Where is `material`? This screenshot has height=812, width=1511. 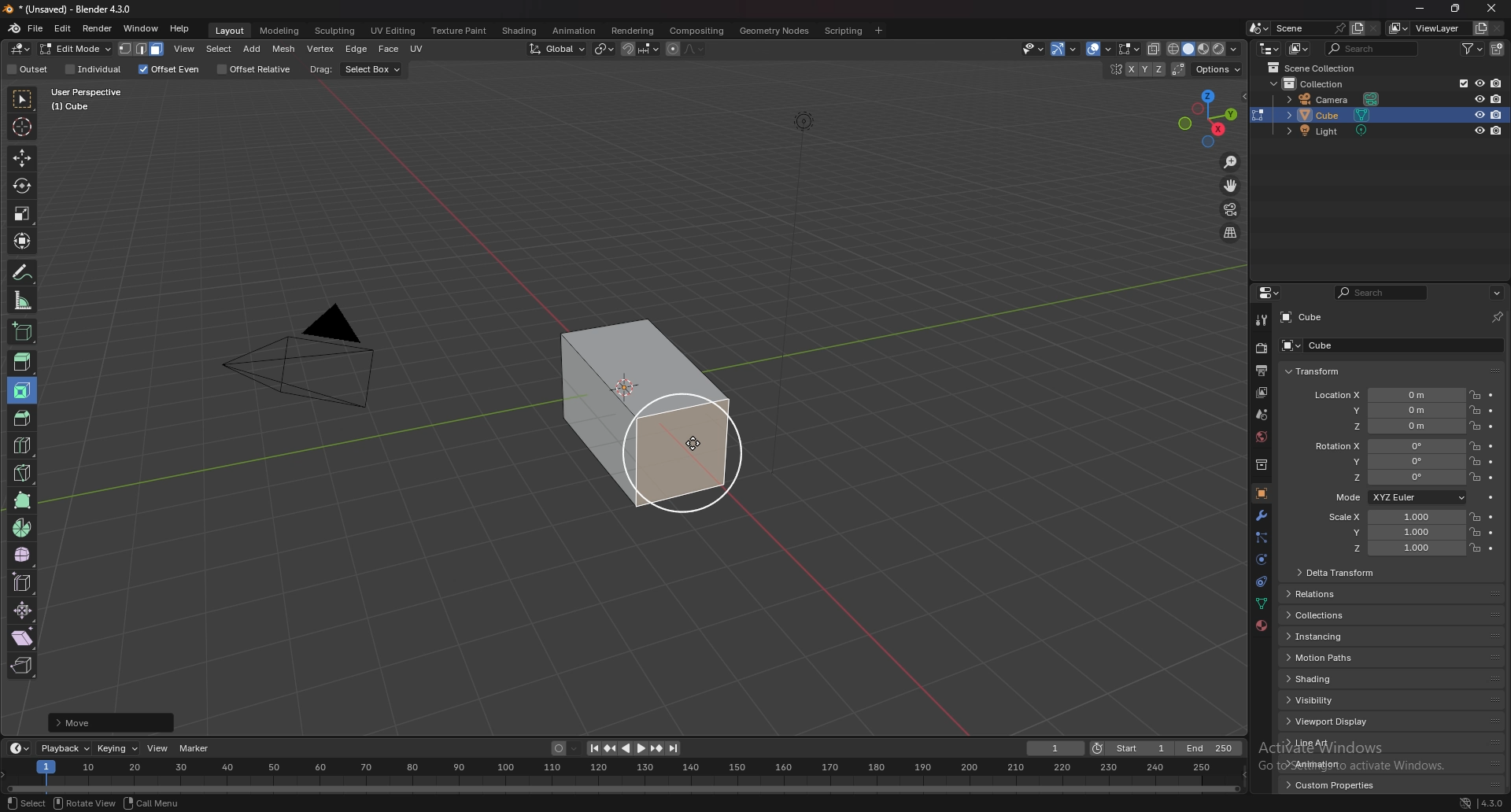 material is located at coordinates (1262, 626).